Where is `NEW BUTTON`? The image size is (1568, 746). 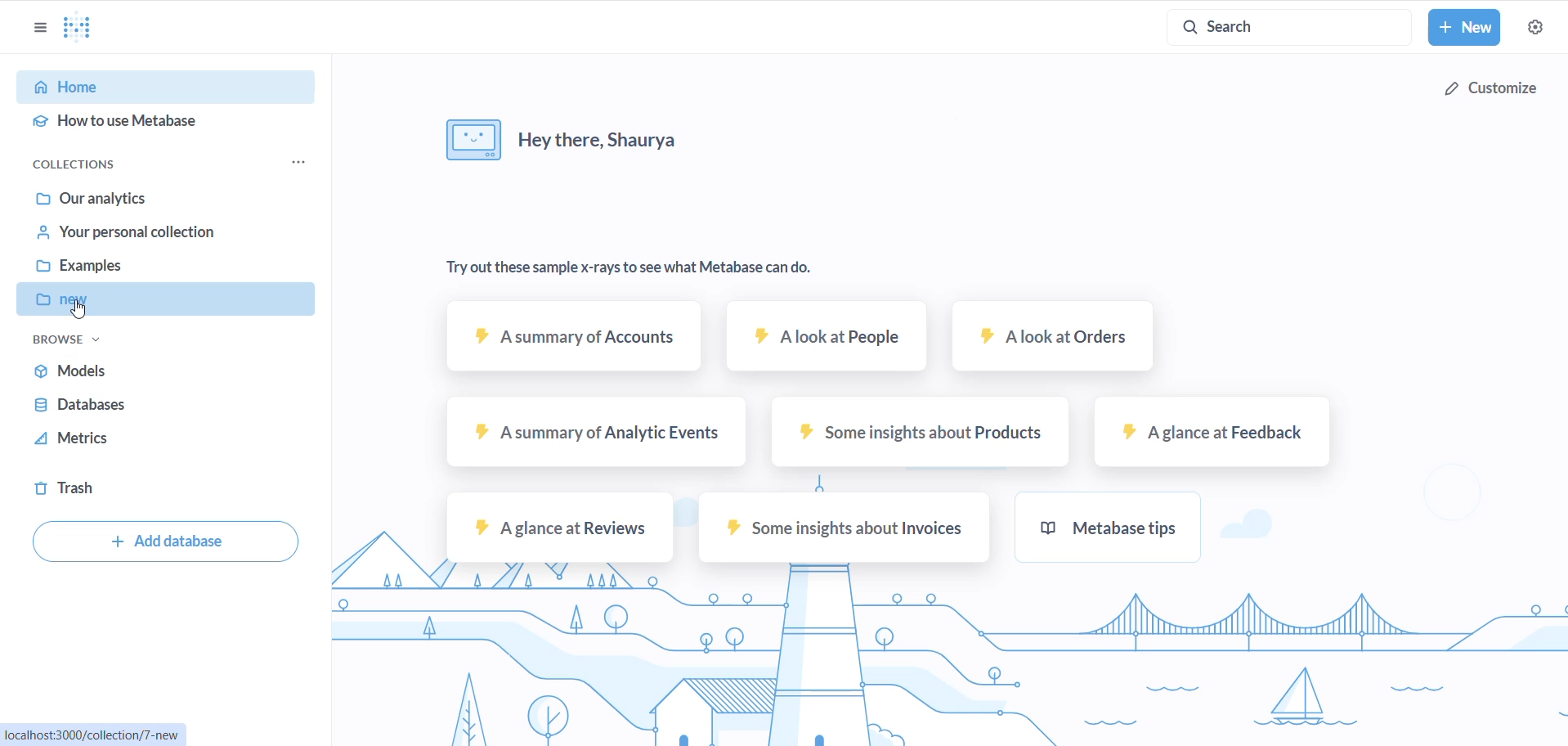 NEW BUTTON is located at coordinates (1465, 29).